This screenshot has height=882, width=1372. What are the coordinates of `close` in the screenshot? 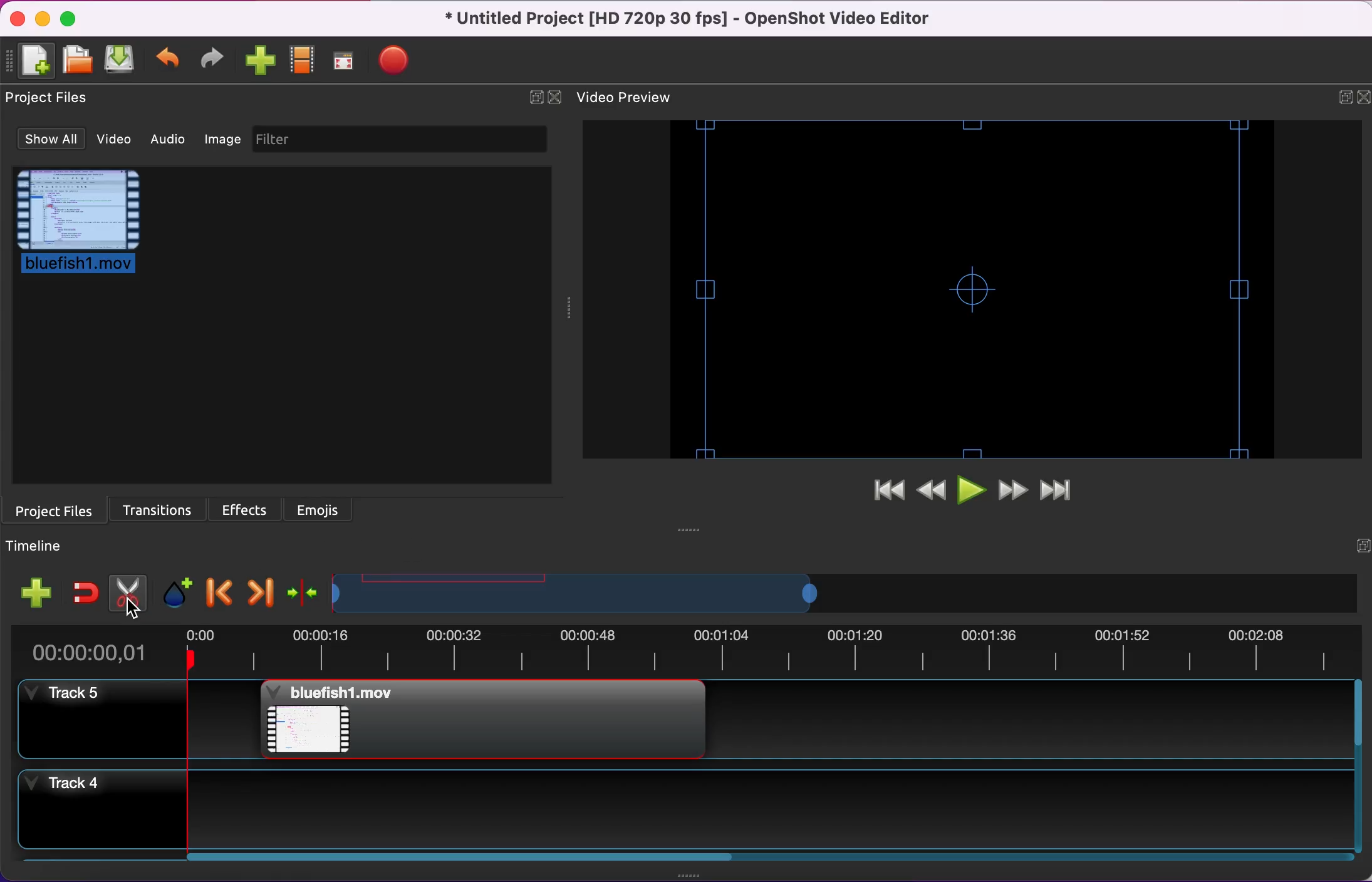 It's located at (1363, 96).